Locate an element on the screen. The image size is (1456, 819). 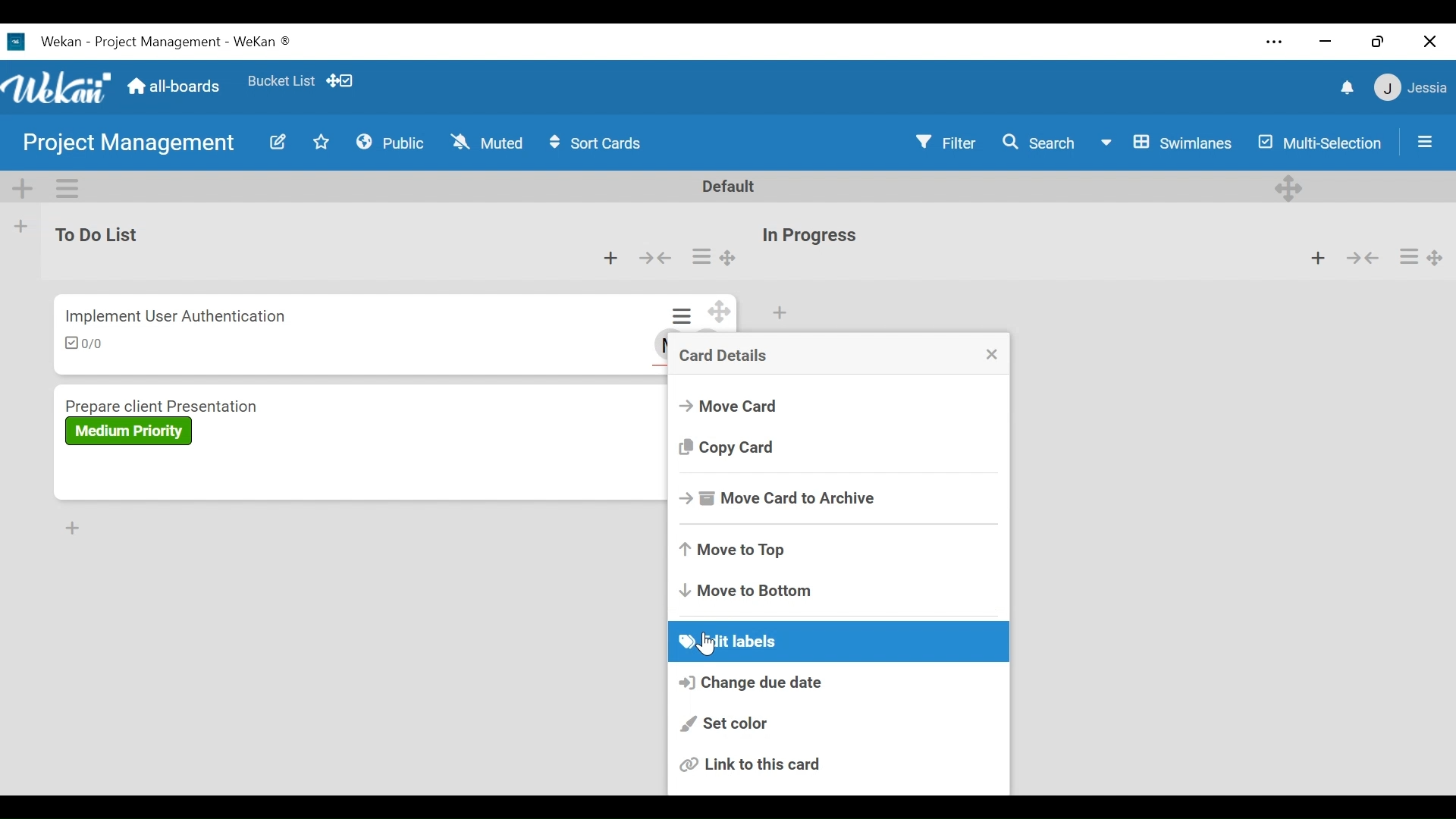
Set color is located at coordinates (731, 724).